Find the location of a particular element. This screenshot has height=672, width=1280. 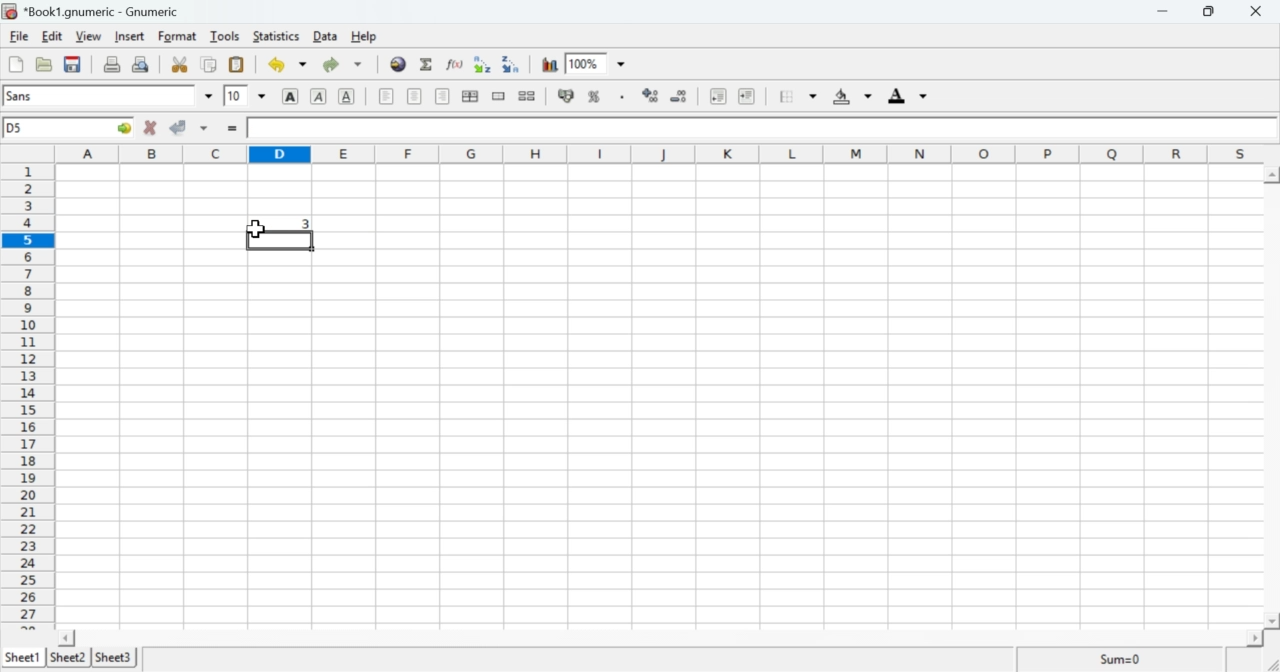

Split cells is located at coordinates (528, 96).